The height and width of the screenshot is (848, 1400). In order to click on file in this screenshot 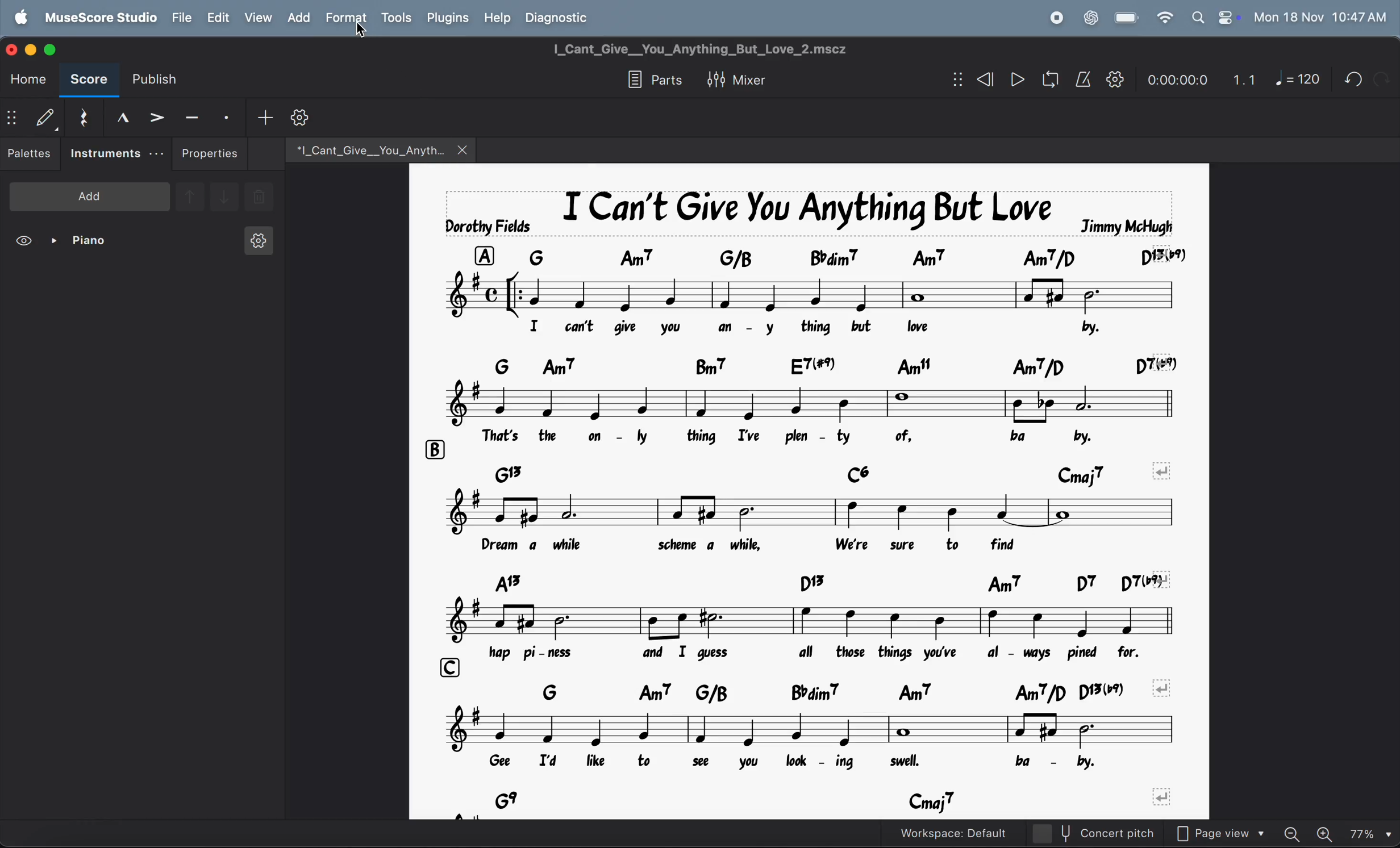, I will do `click(182, 17)`.